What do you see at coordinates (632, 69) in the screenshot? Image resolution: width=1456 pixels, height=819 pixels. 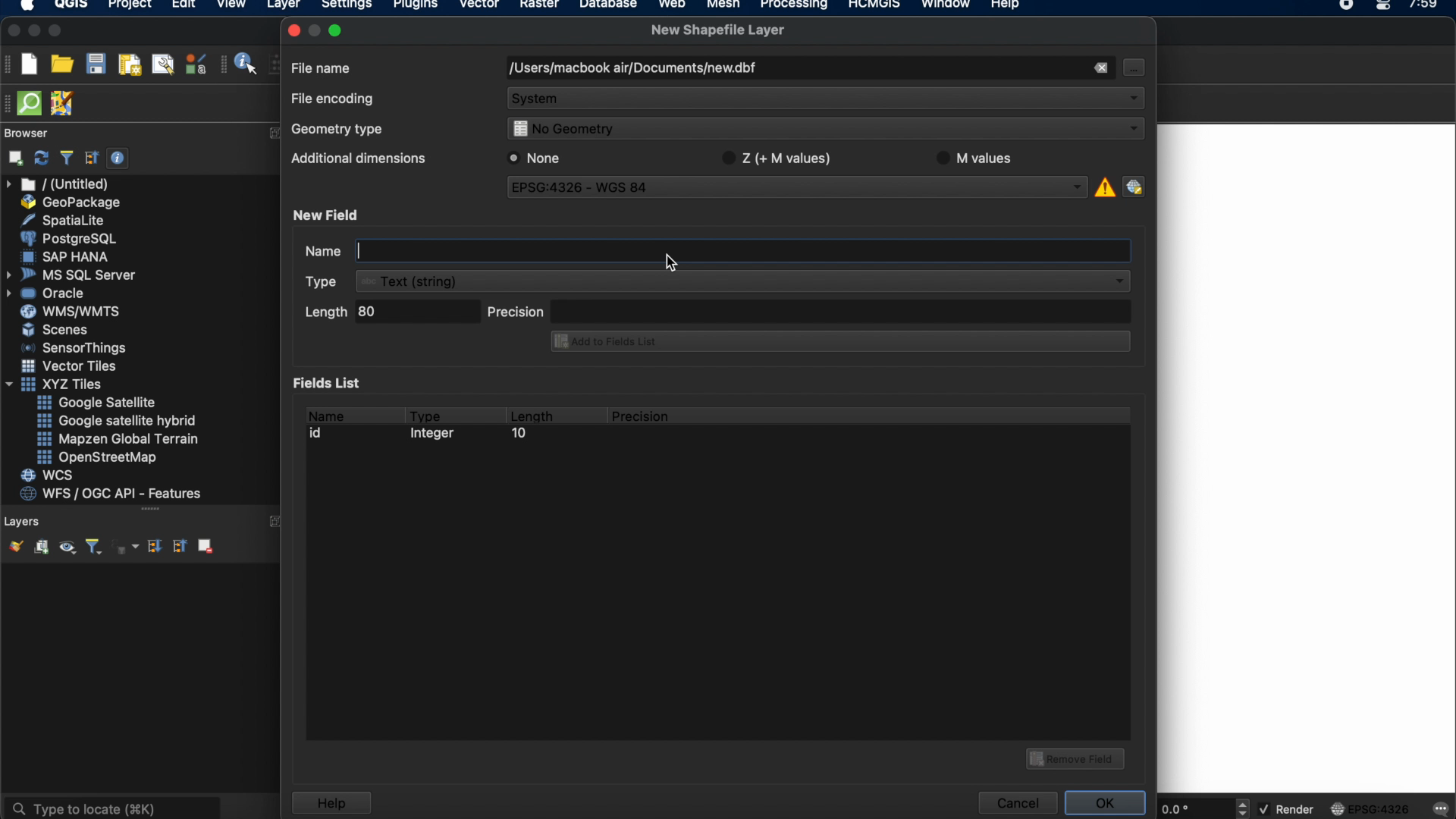 I see `file name, type, location` at bounding box center [632, 69].